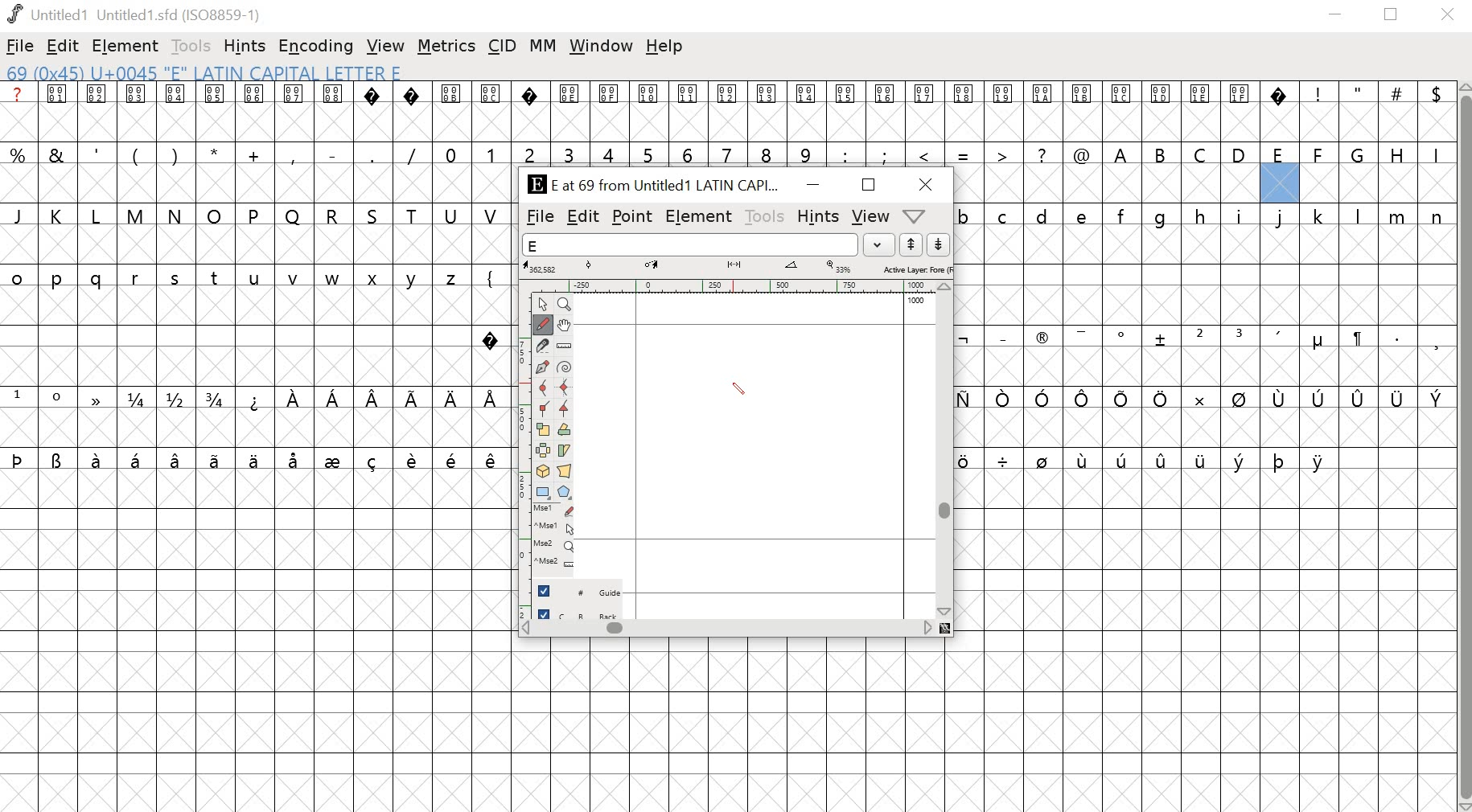  Describe the element at coordinates (1336, 17) in the screenshot. I see `minimize` at that location.